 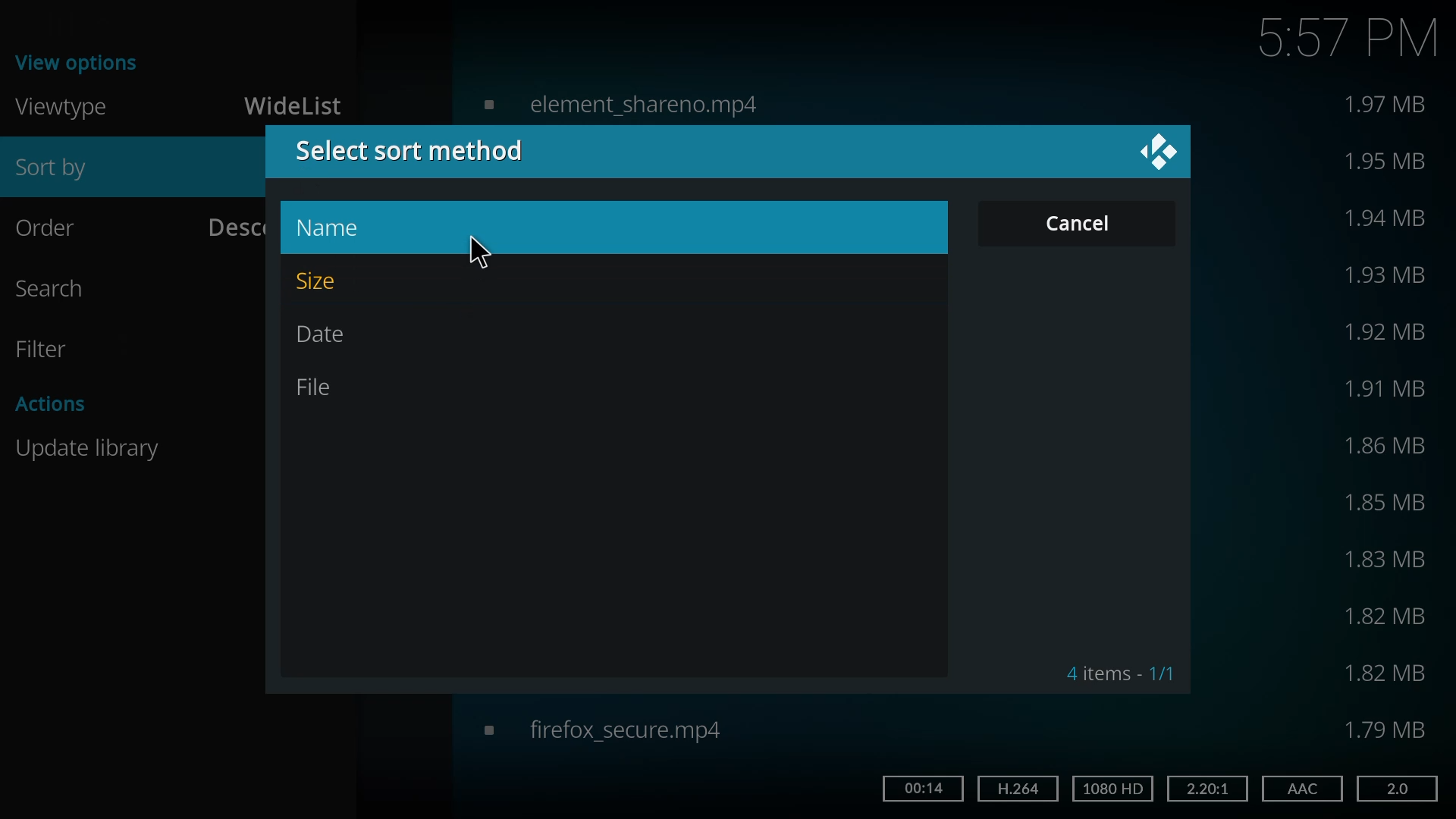 I want to click on size, so click(x=1389, y=216).